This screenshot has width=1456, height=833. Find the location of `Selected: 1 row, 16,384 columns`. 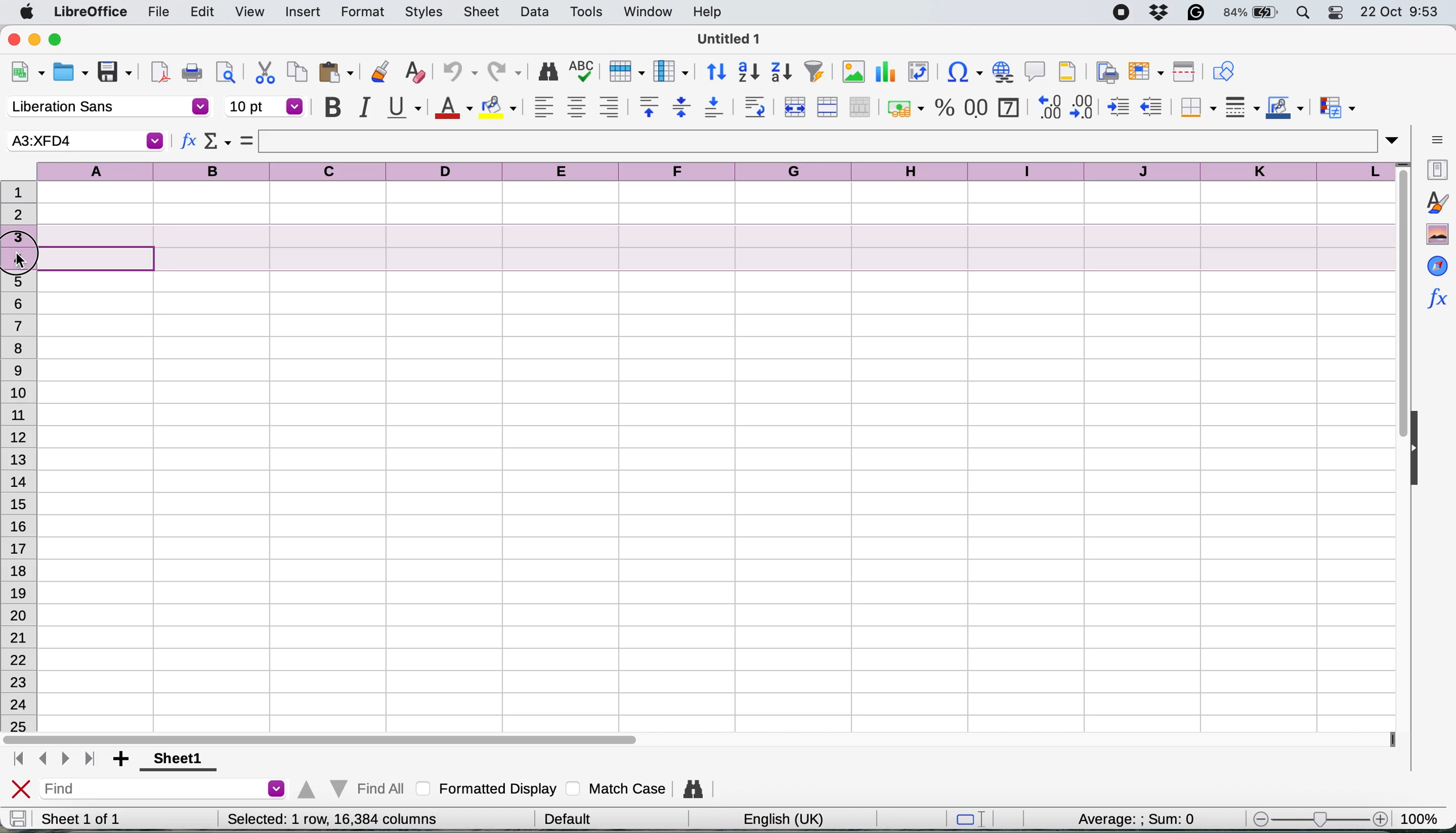

Selected: 1 row, 16,384 columns is located at coordinates (332, 819).